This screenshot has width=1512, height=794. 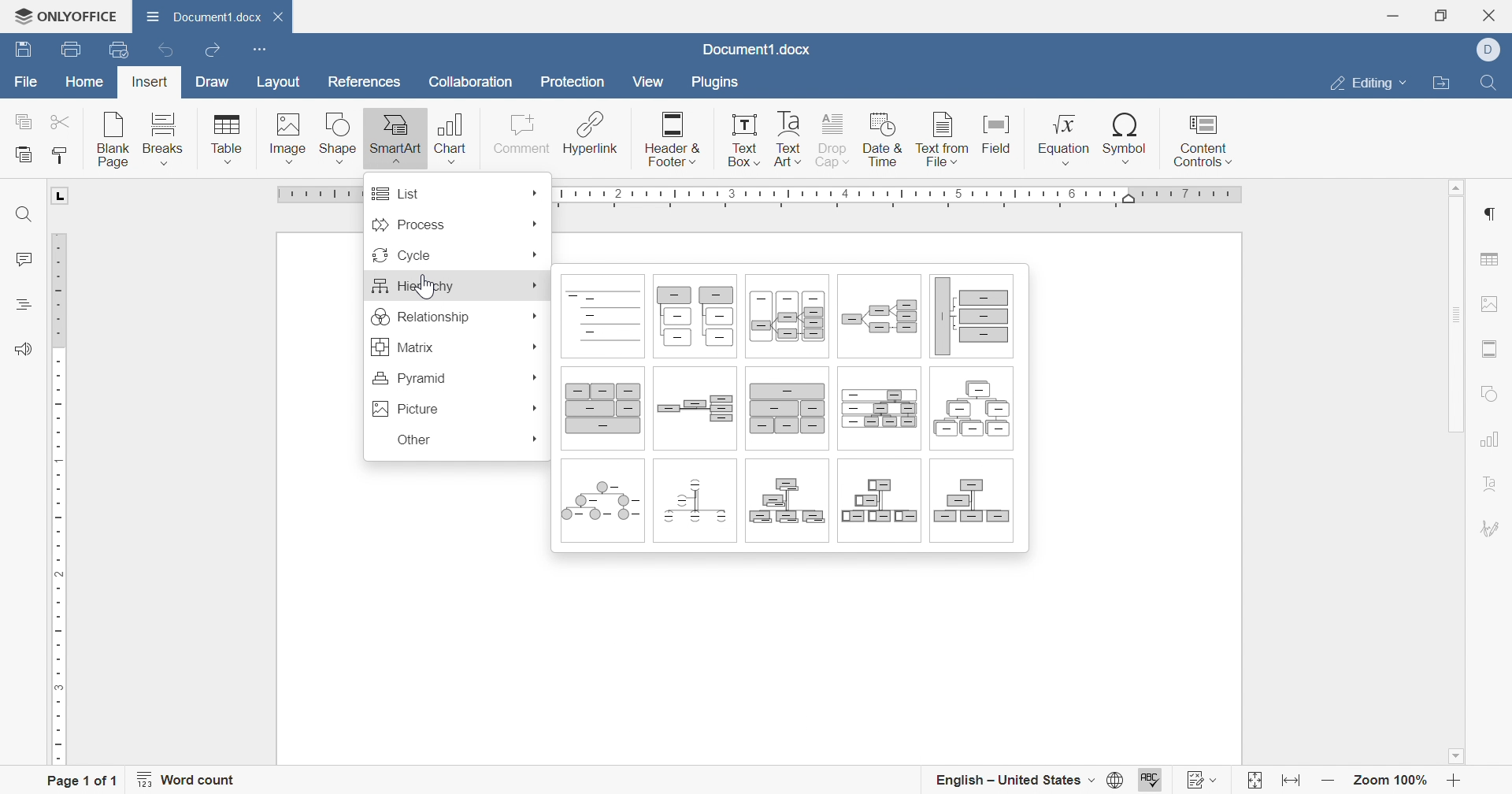 I want to click on Fit to page, so click(x=1255, y=780).